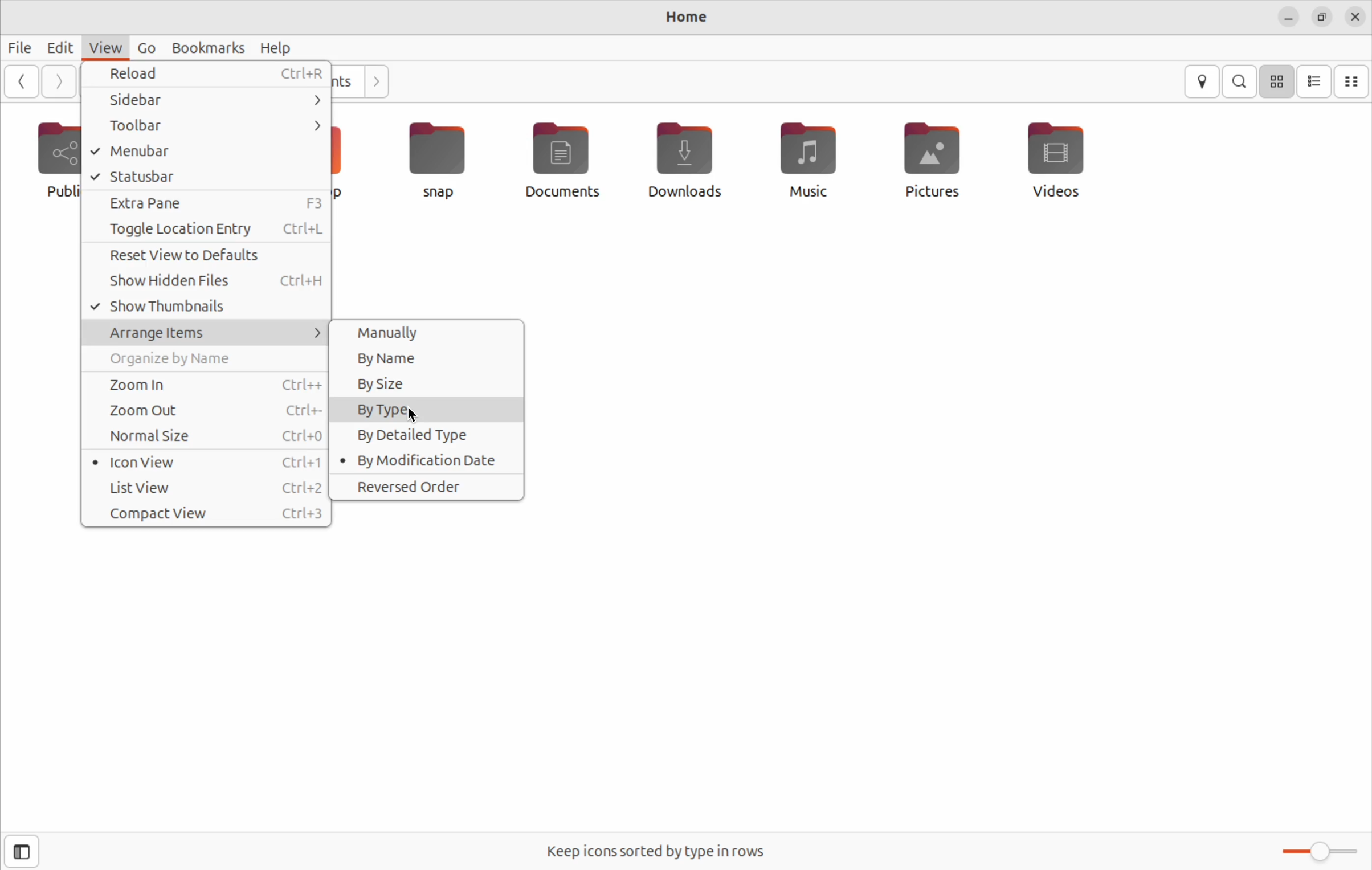 This screenshot has width=1372, height=870. I want to click on file, so click(21, 48).